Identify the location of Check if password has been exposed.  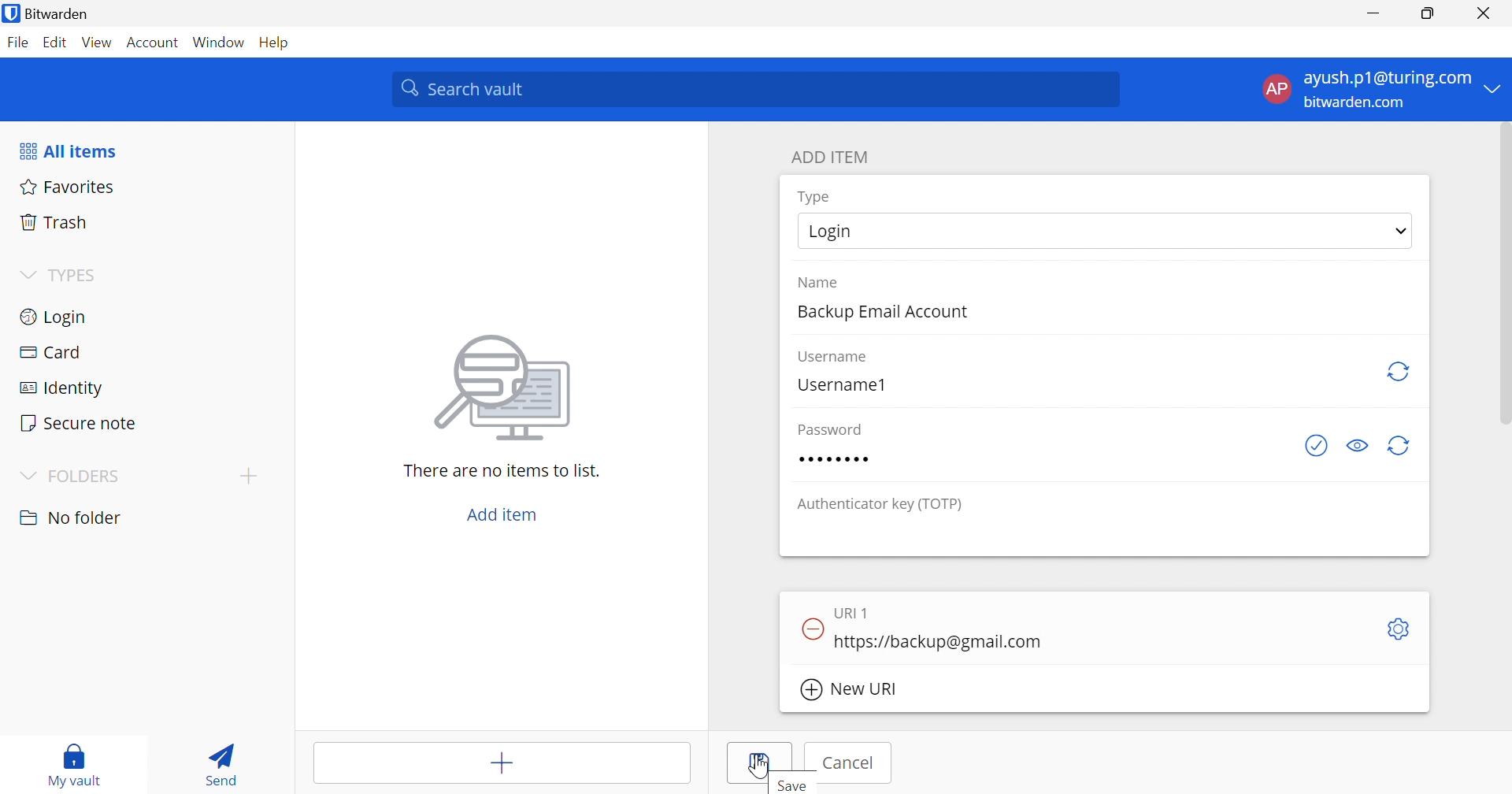
(1318, 446).